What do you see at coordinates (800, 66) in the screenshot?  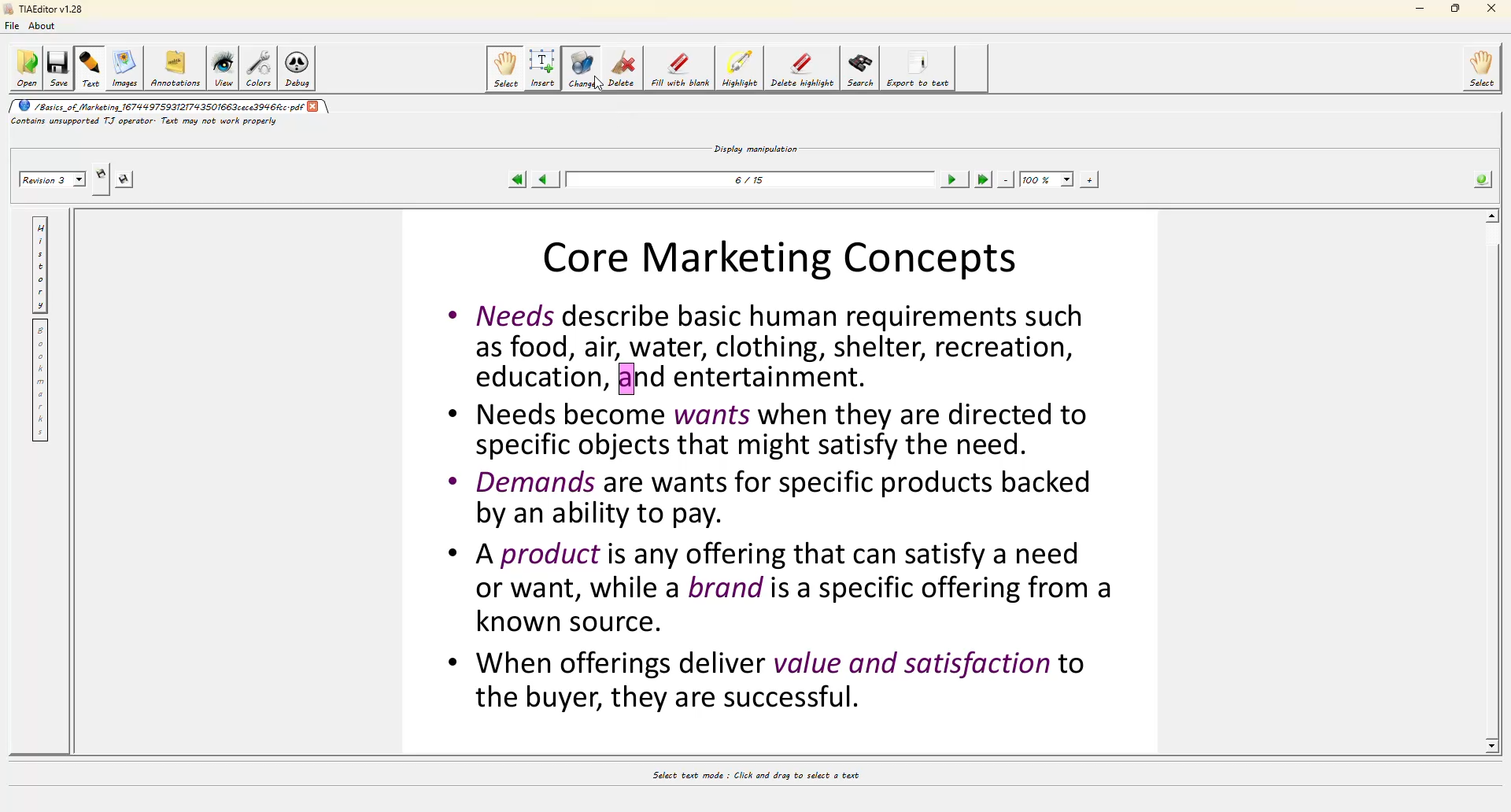 I see `delete highlight` at bounding box center [800, 66].